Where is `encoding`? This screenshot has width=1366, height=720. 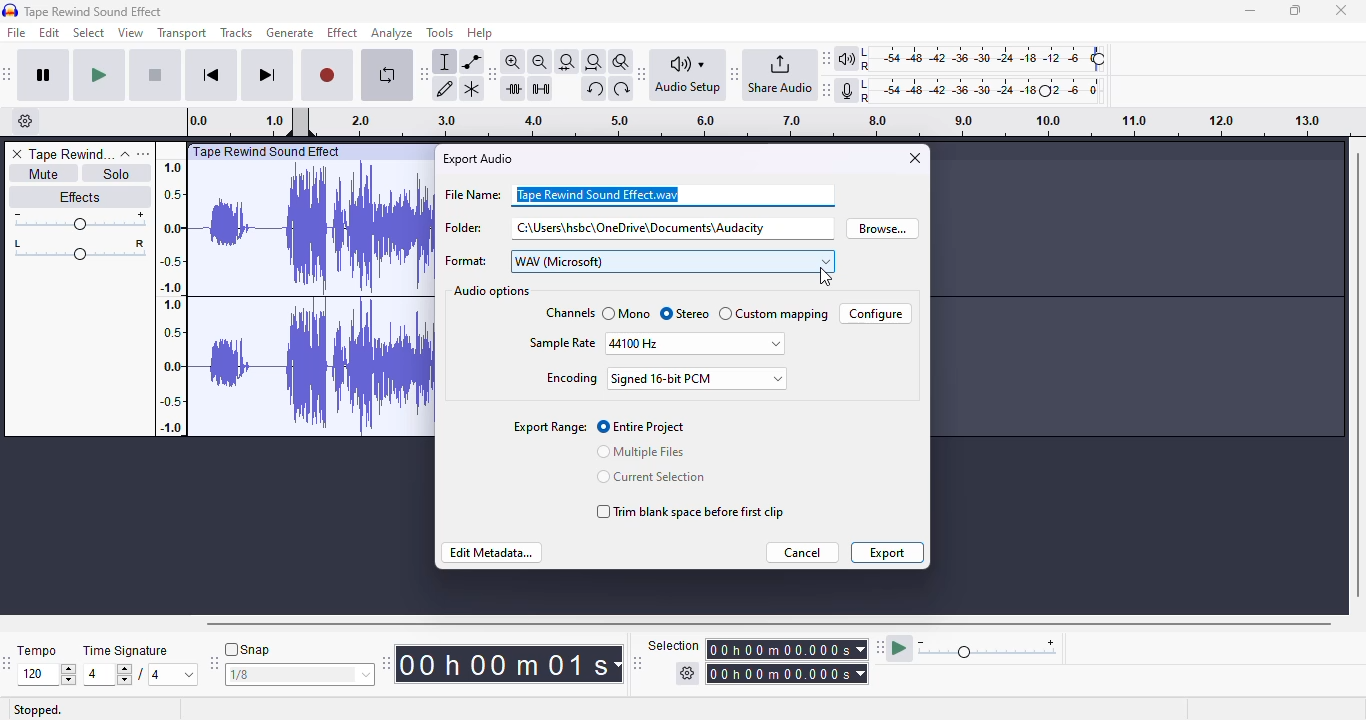 encoding is located at coordinates (666, 378).